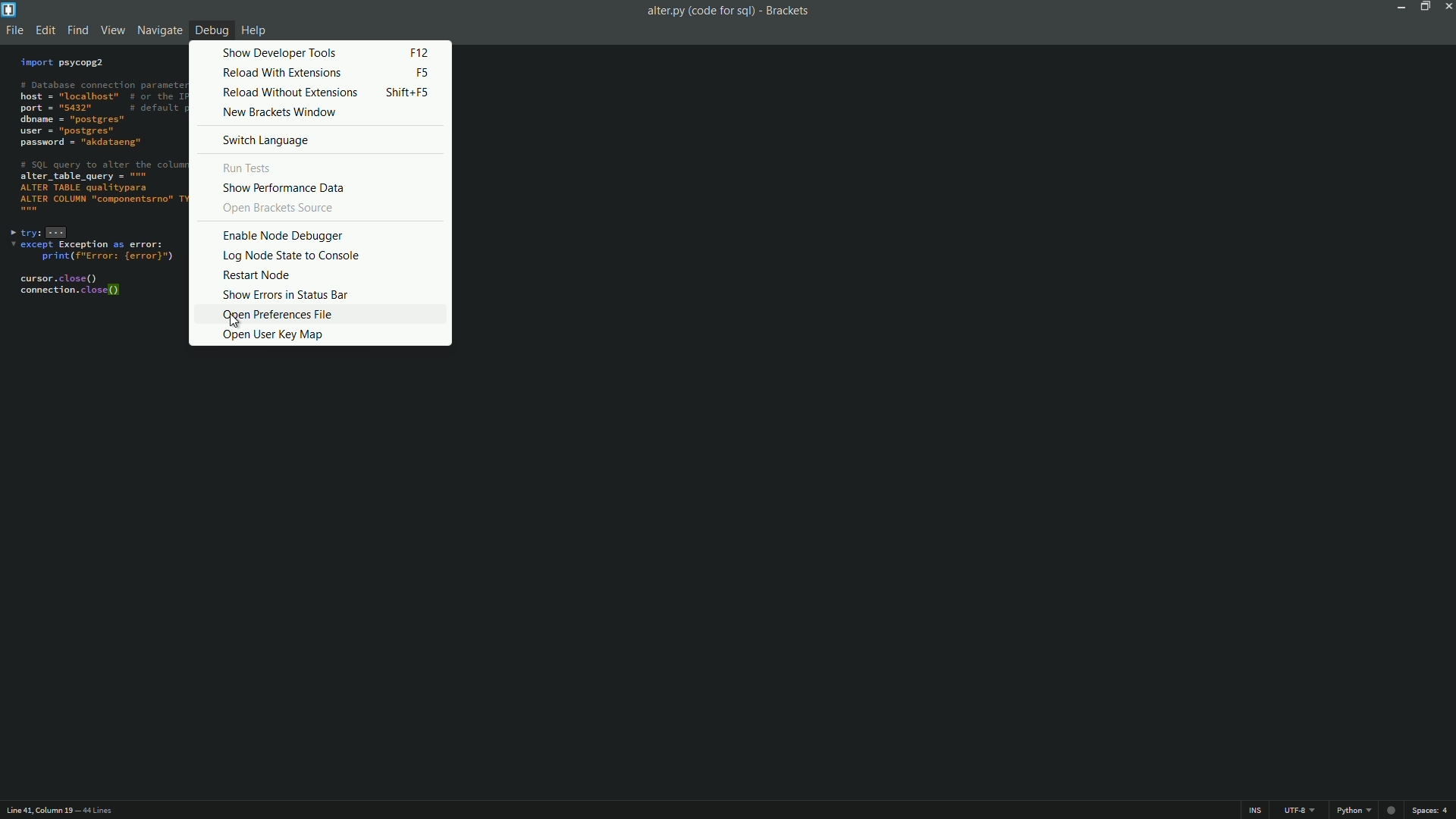 Image resolution: width=1456 pixels, height=819 pixels. Describe the element at coordinates (211, 30) in the screenshot. I see `debug menu` at that location.